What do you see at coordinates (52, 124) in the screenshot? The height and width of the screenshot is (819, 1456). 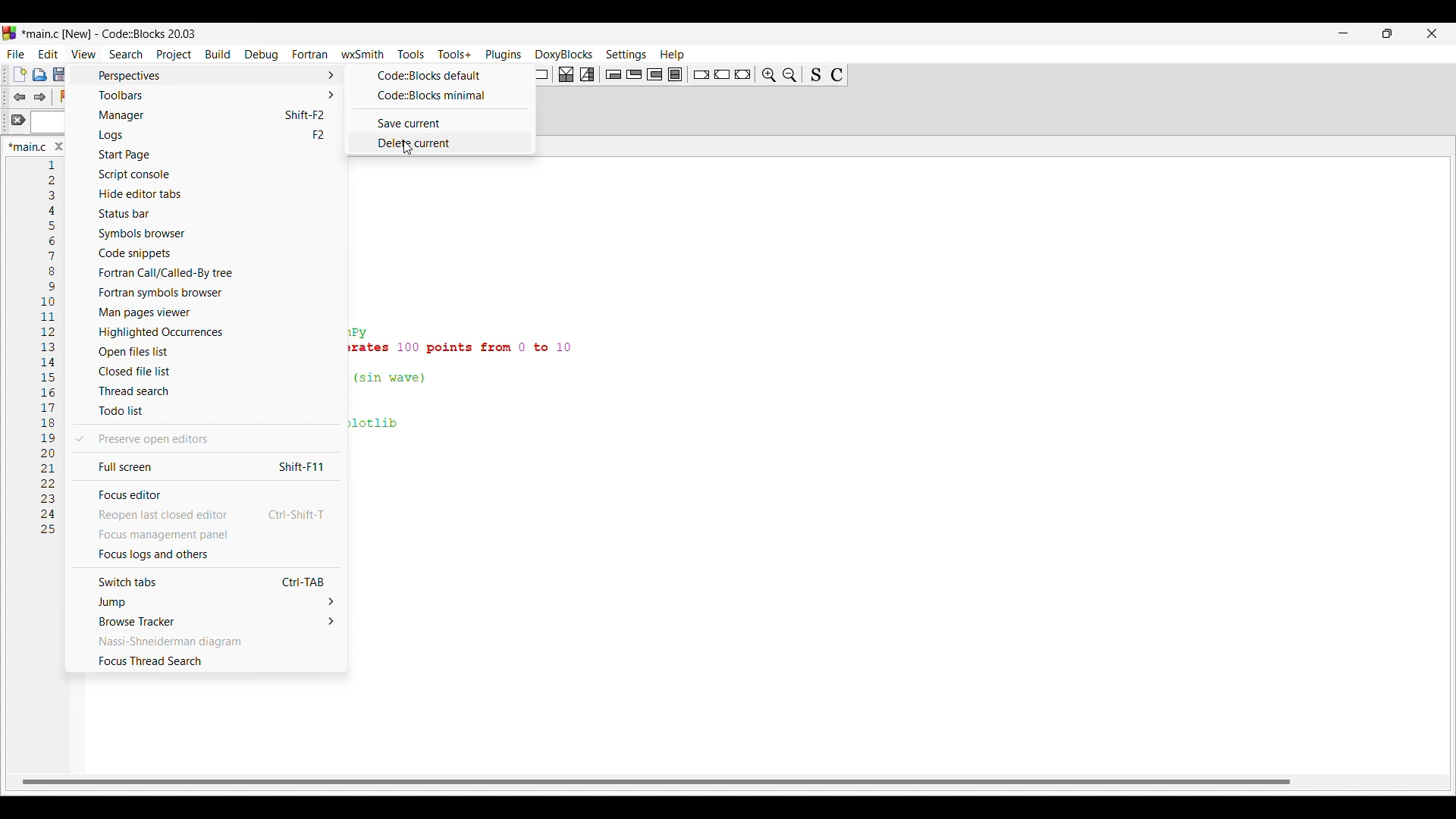 I see `Text box and text options` at bounding box center [52, 124].